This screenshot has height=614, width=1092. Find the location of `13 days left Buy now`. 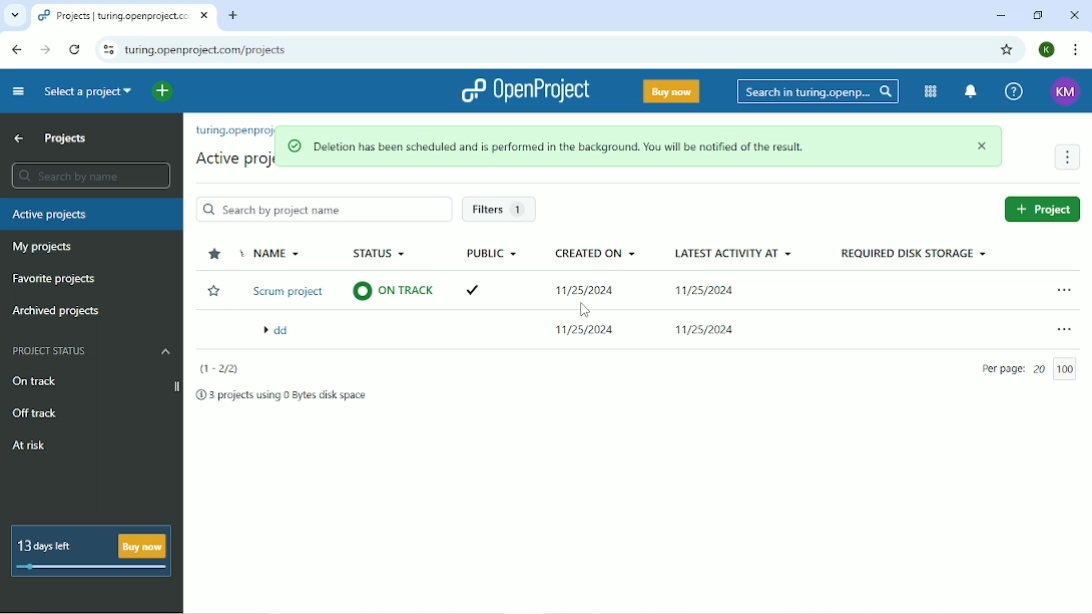

13 days left Buy now is located at coordinates (93, 553).